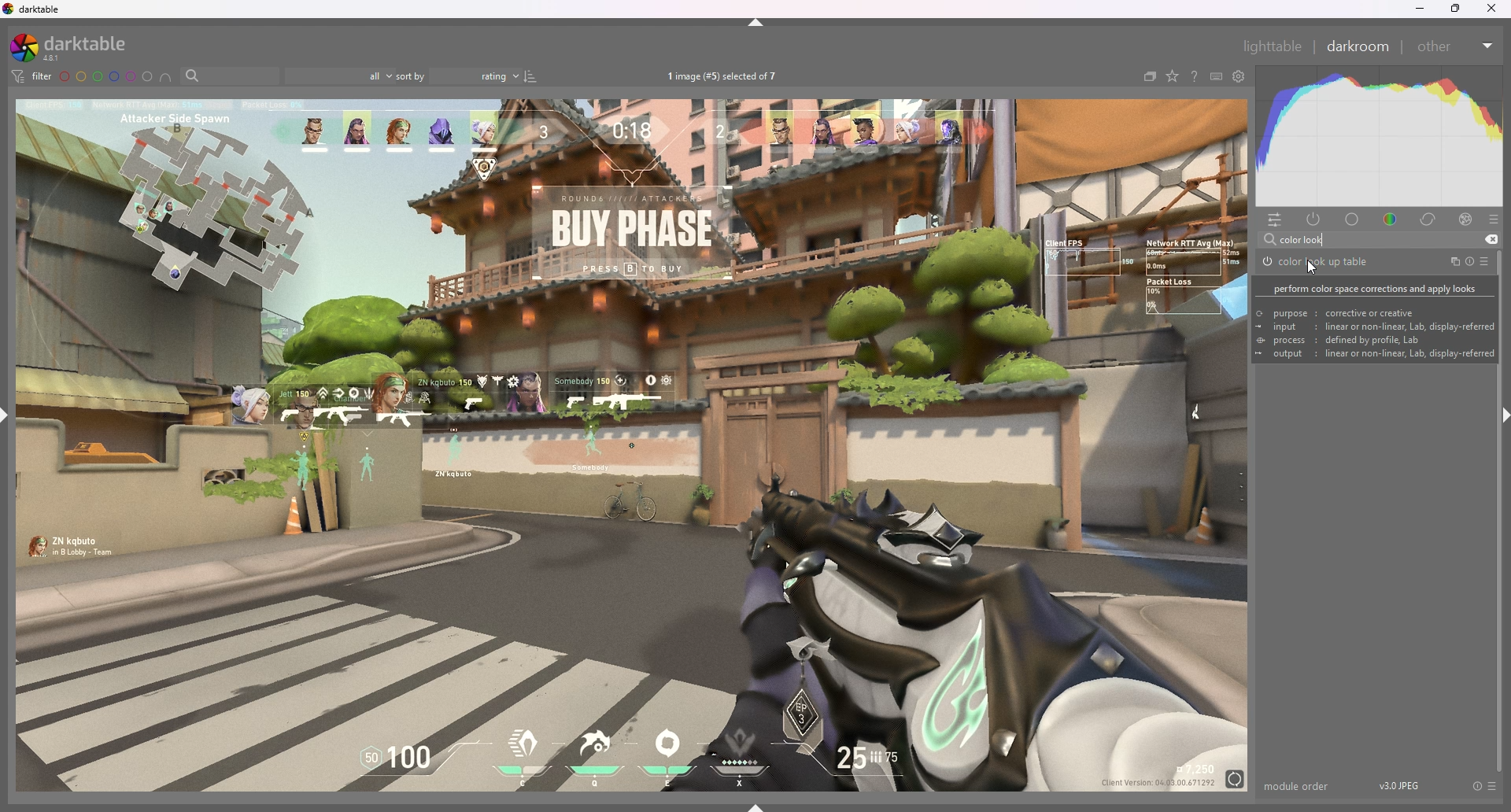 The width and height of the screenshot is (1511, 812). What do you see at coordinates (457, 76) in the screenshot?
I see `sort by` at bounding box center [457, 76].